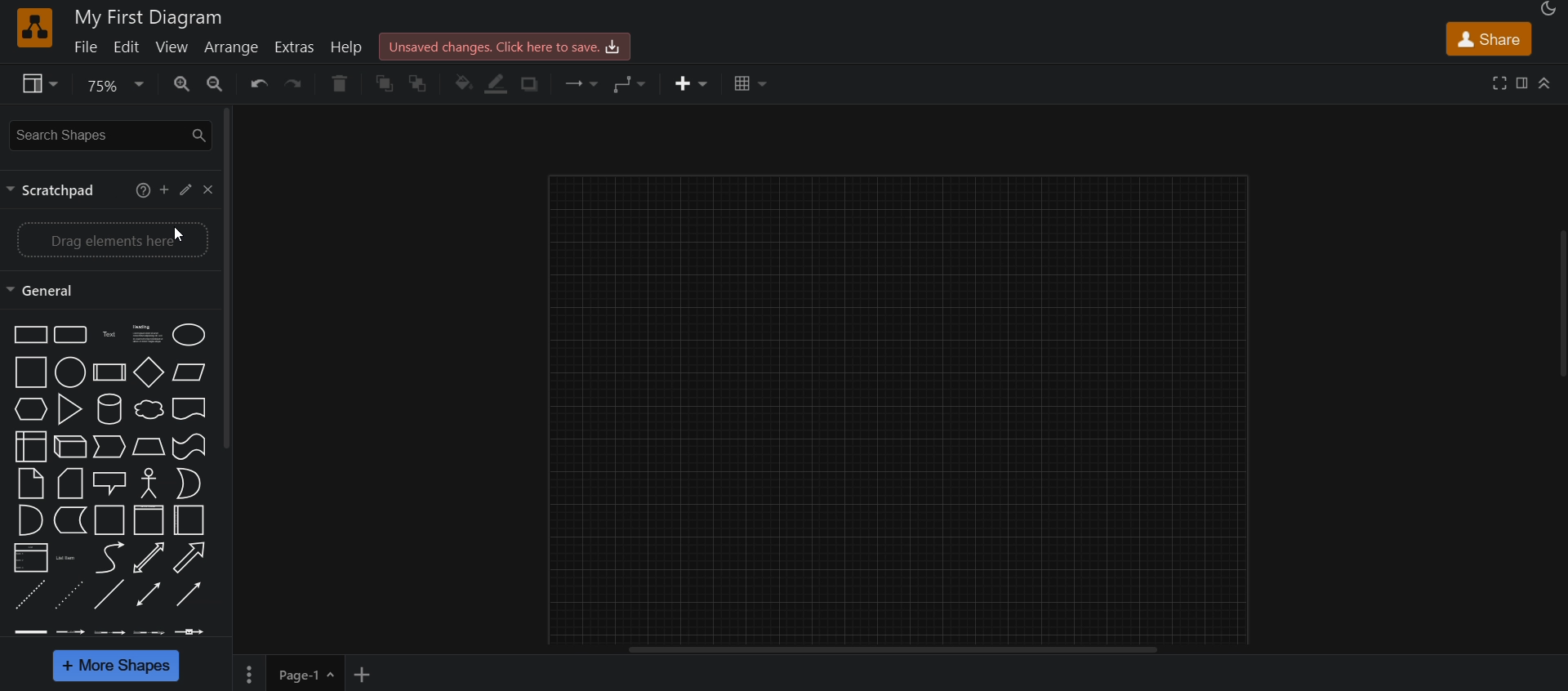 The height and width of the screenshot is (691, 1568). I want to click on line color, so click(500, 86).